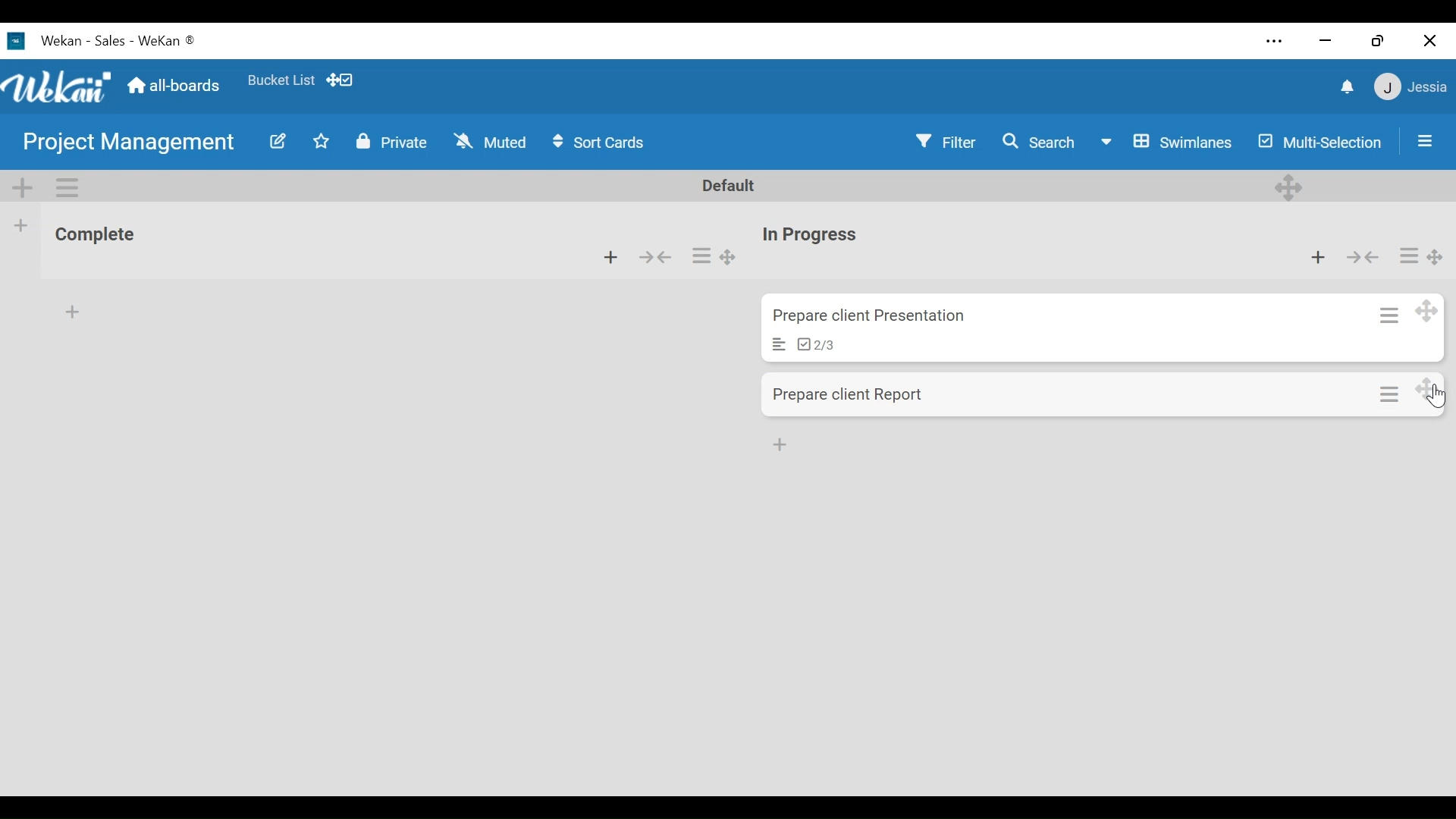 This screenshot has width=1456, height=819. I want to click on List actions, so click(702, 257).